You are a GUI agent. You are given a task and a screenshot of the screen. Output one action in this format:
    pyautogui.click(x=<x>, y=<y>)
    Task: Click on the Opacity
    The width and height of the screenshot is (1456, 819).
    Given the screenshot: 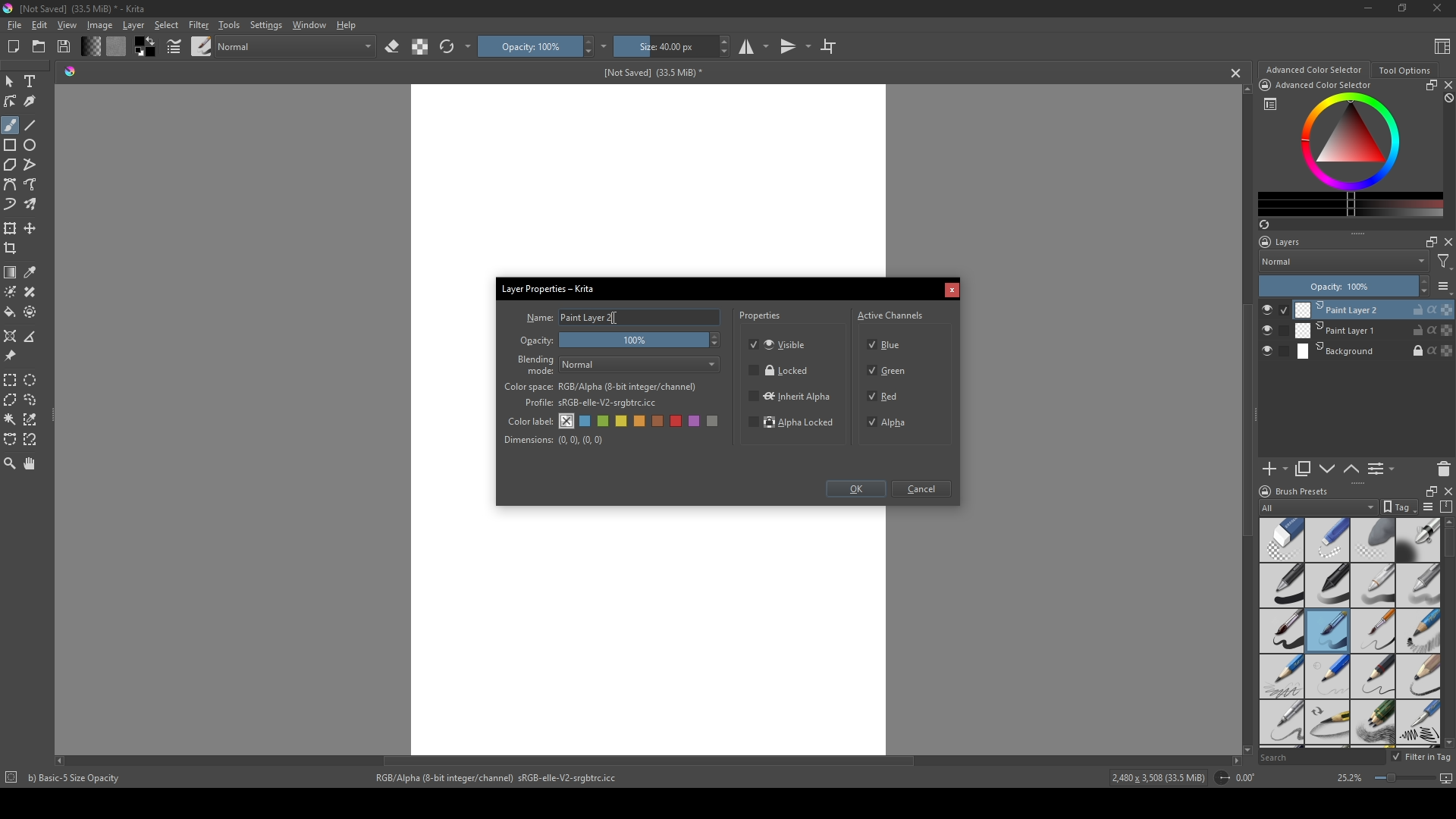 What is the action you would take?
    pyautogui.click(x=529, y=46)
    